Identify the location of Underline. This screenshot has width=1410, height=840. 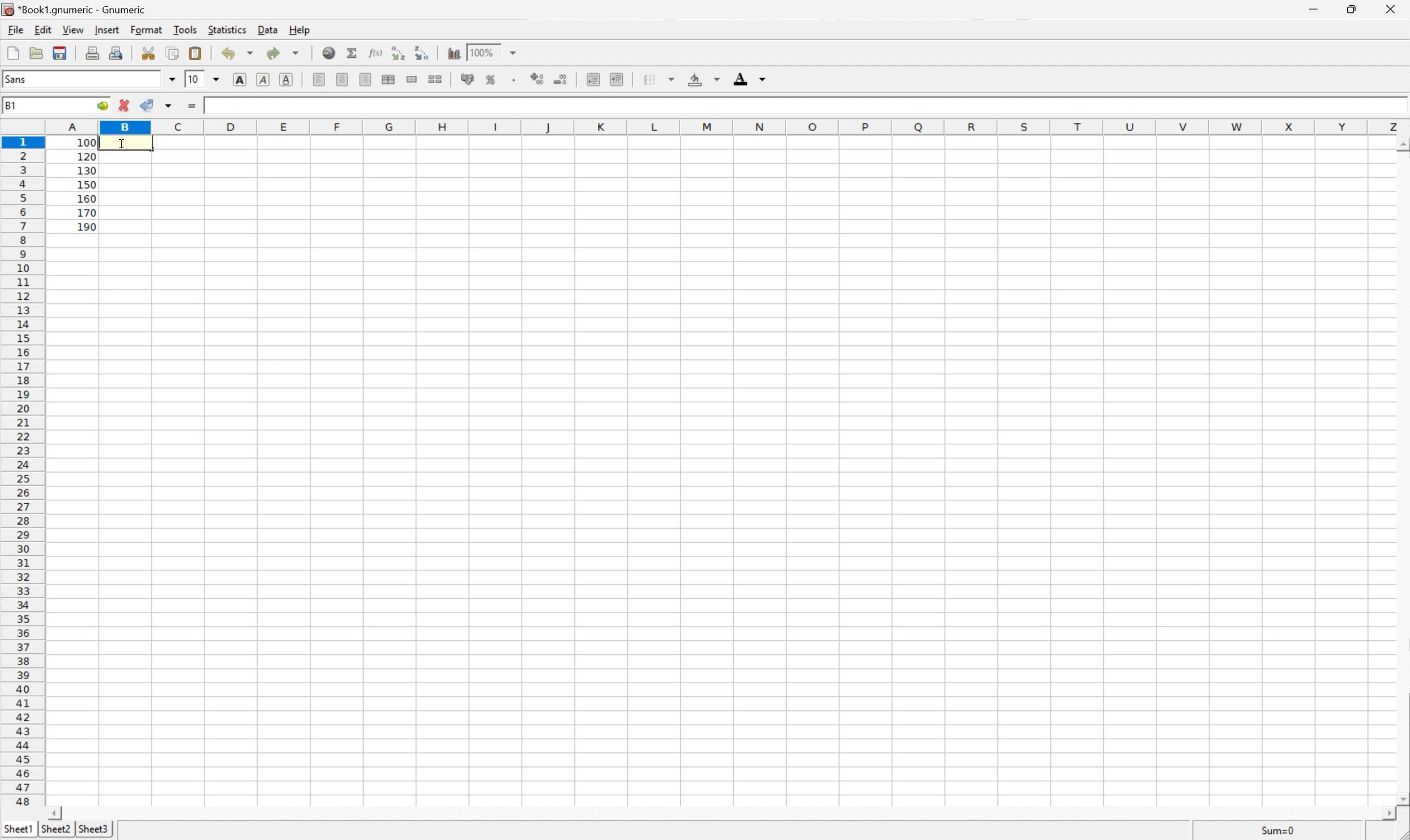
(287, 80).